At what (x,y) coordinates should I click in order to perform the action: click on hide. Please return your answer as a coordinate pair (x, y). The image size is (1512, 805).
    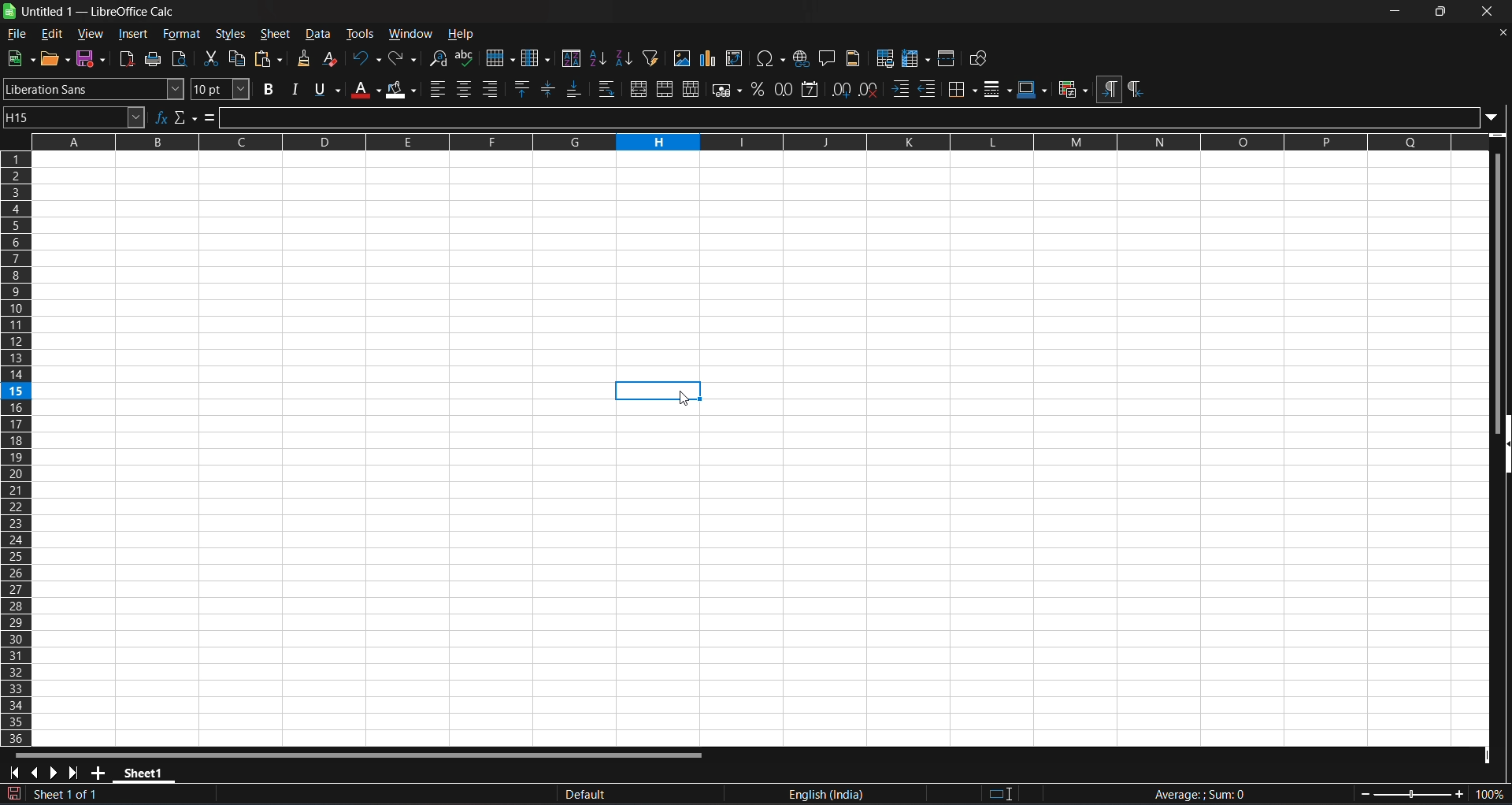
    Looking at the image, I should click on (1503, 445).